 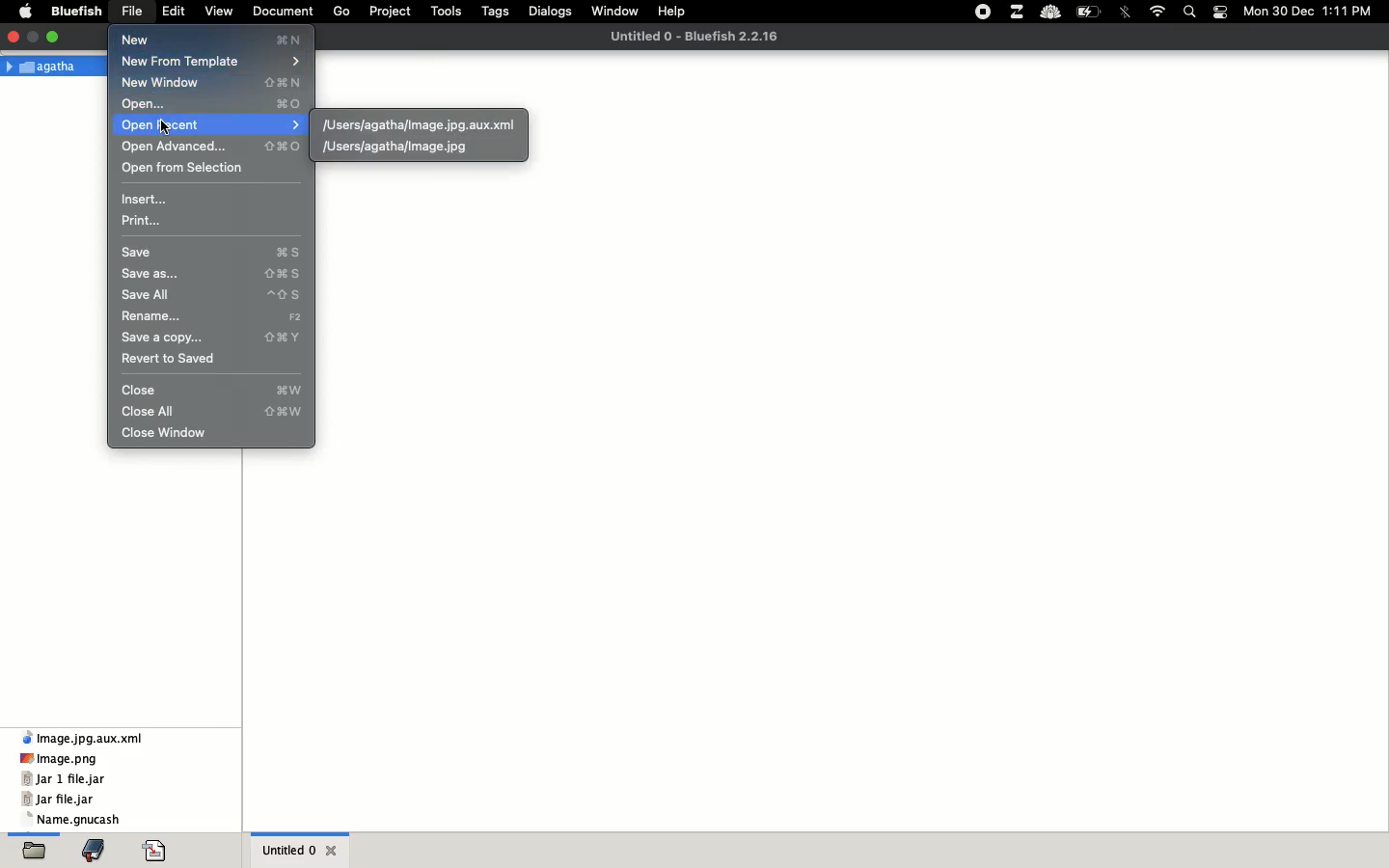 I want to click on close   command W, so click(x=217, y=391).